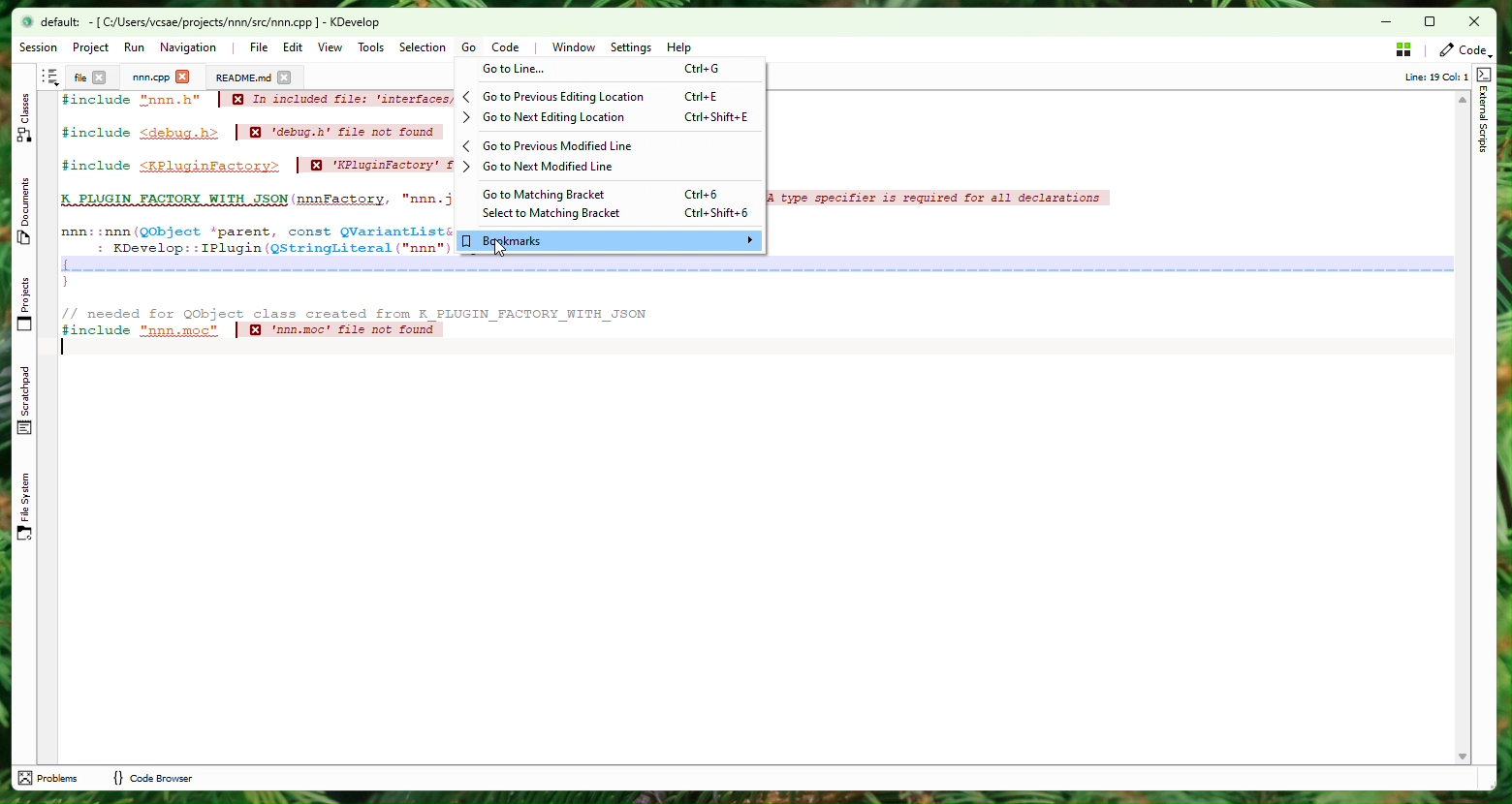  What do you see at coordinates (27, 509) in the screenshot?
I see `File Sytem` at bounding box center [27, 509].